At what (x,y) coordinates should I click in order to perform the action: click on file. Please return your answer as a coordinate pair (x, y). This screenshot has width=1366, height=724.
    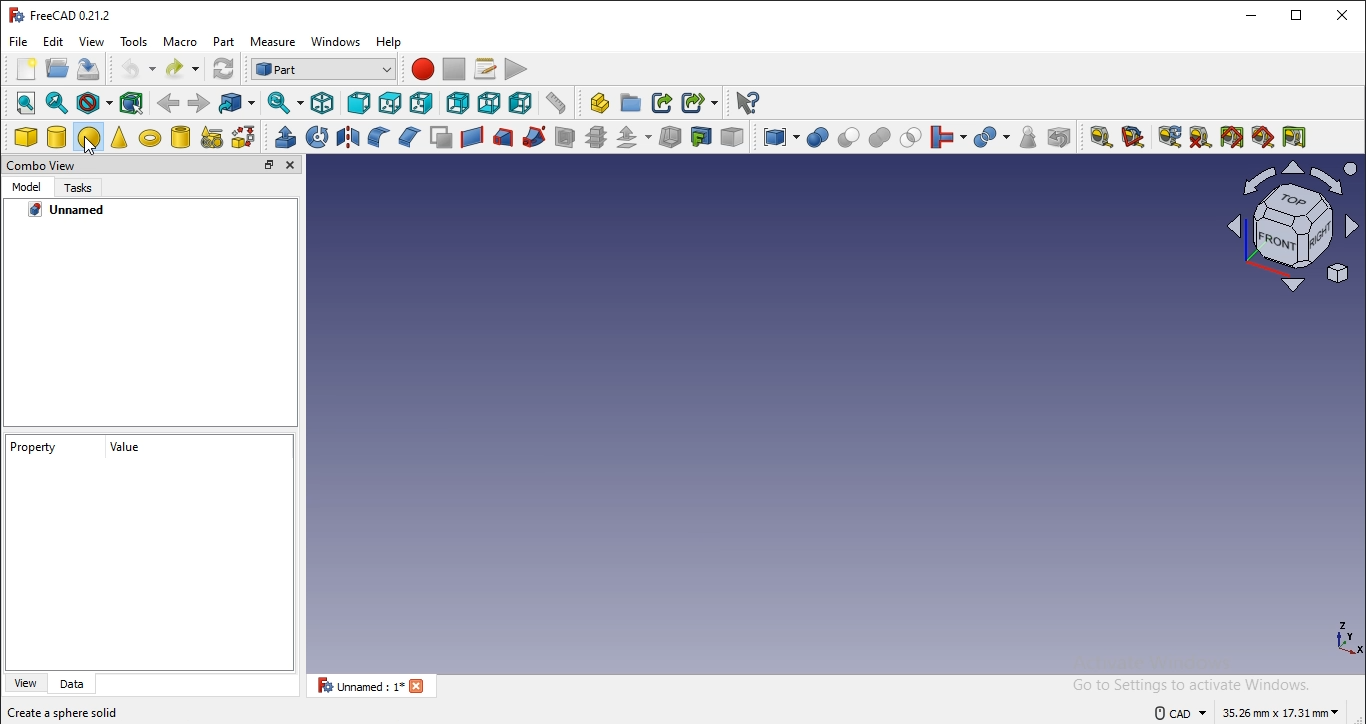
    Looking at the image, I should click on (20, 43).